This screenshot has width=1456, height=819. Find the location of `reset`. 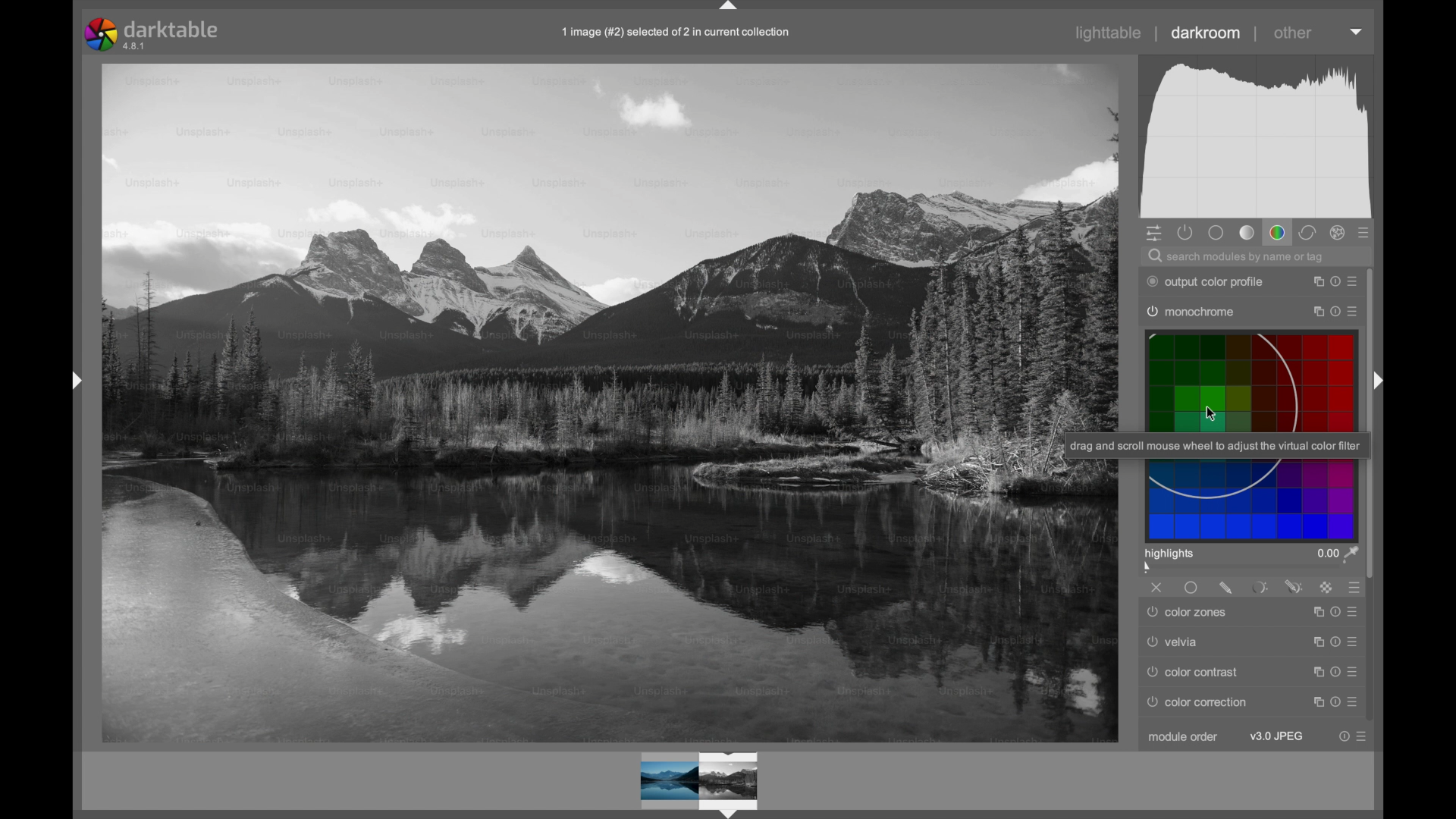

reset is located at coordinates (1336, 312).